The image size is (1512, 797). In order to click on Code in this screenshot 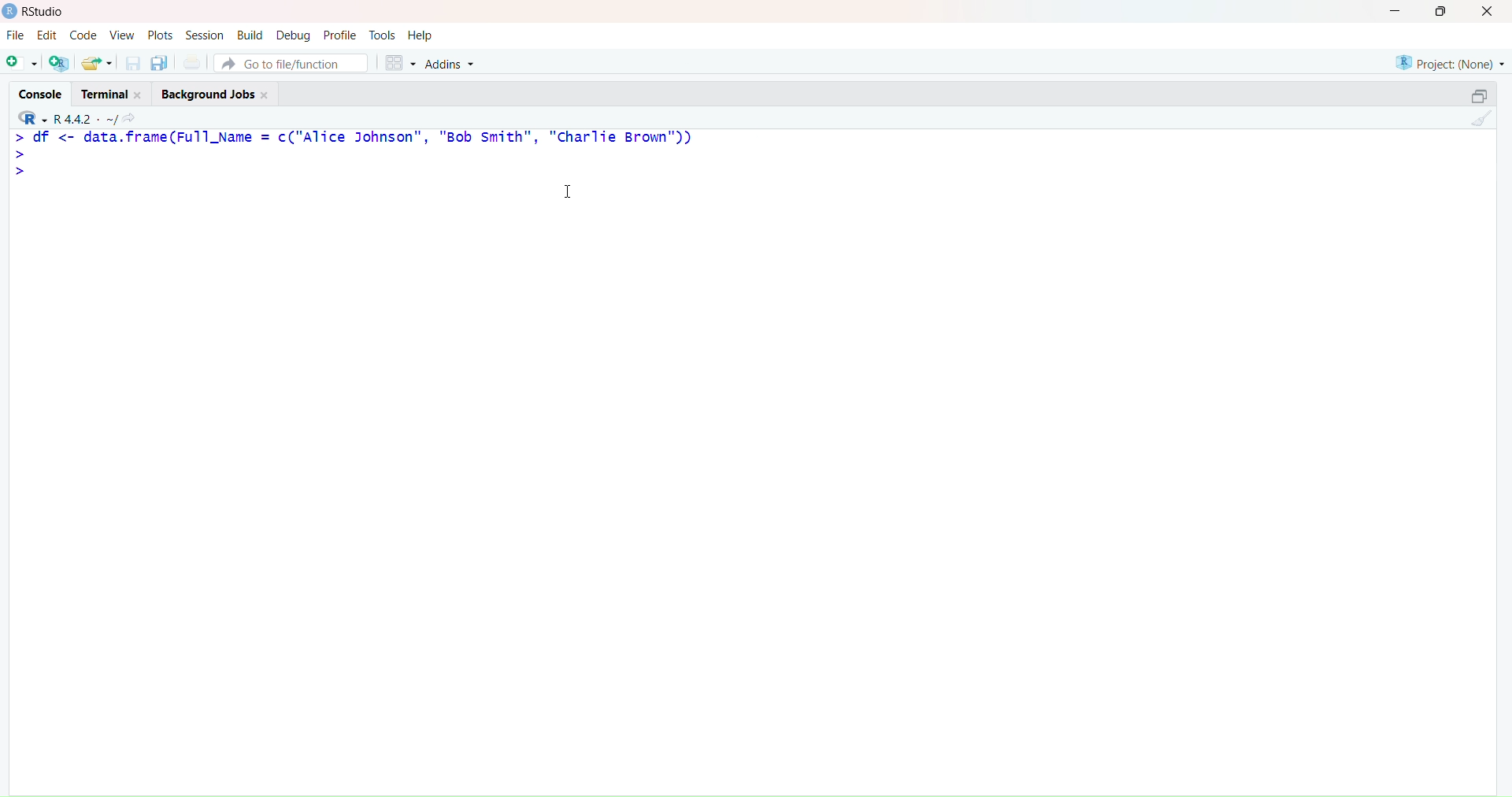, I will do `click(83, 36)`.